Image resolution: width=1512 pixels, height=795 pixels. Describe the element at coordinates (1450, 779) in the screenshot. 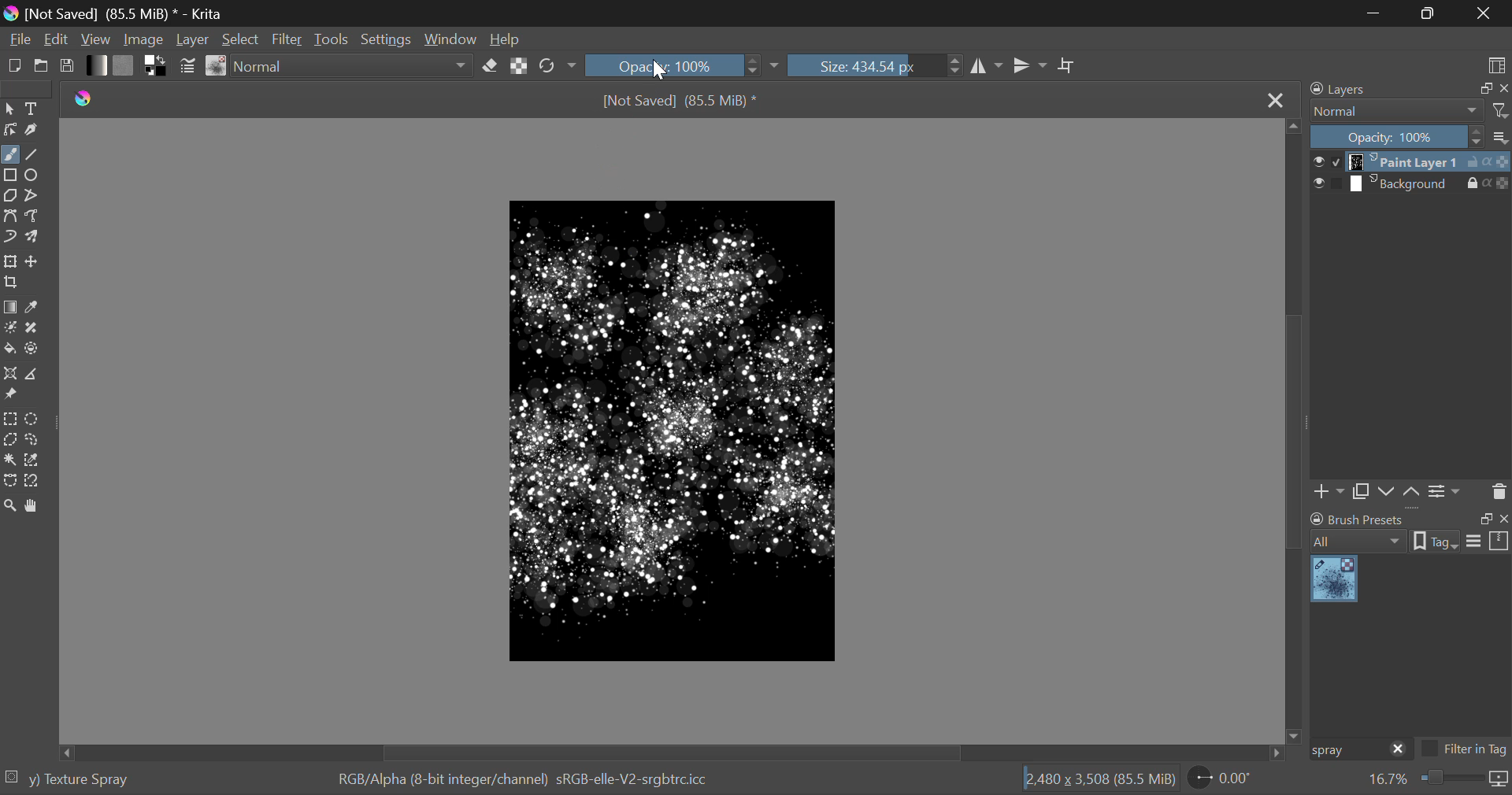

I see `zoom slider` at that location.